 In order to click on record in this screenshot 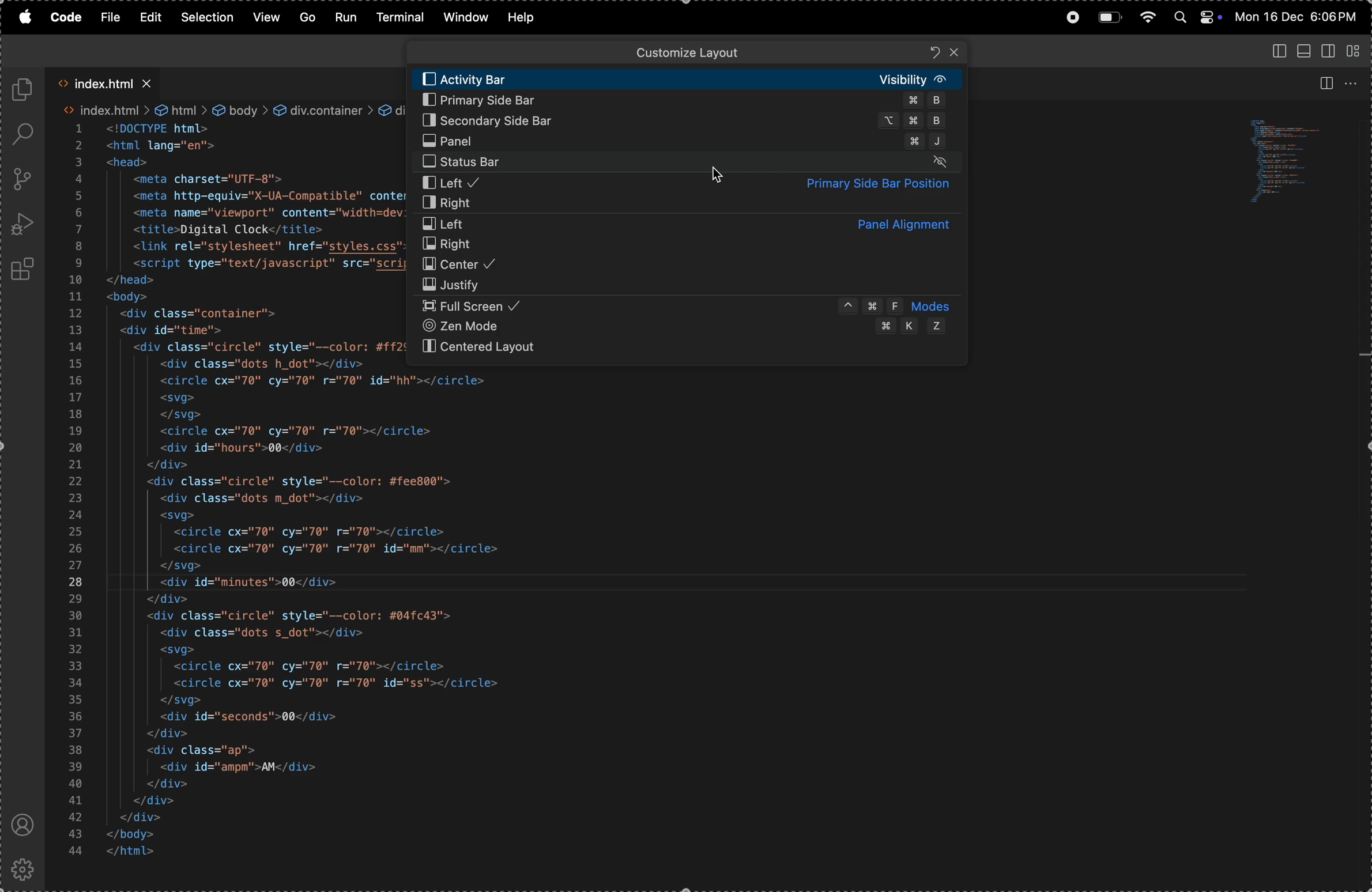, I will do `click(1069, 16)`.